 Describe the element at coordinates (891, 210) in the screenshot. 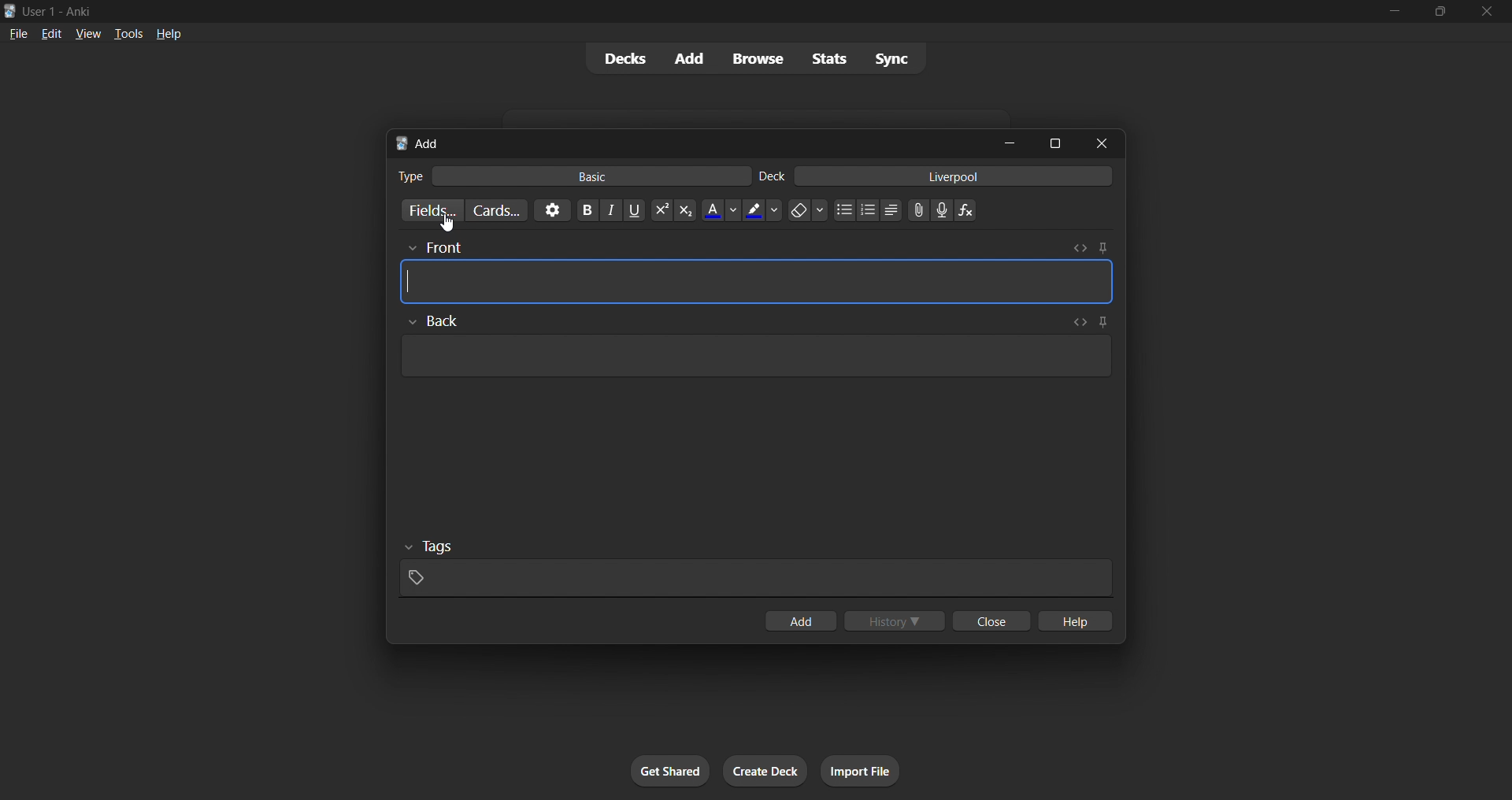

I see `Alignment` at that location.